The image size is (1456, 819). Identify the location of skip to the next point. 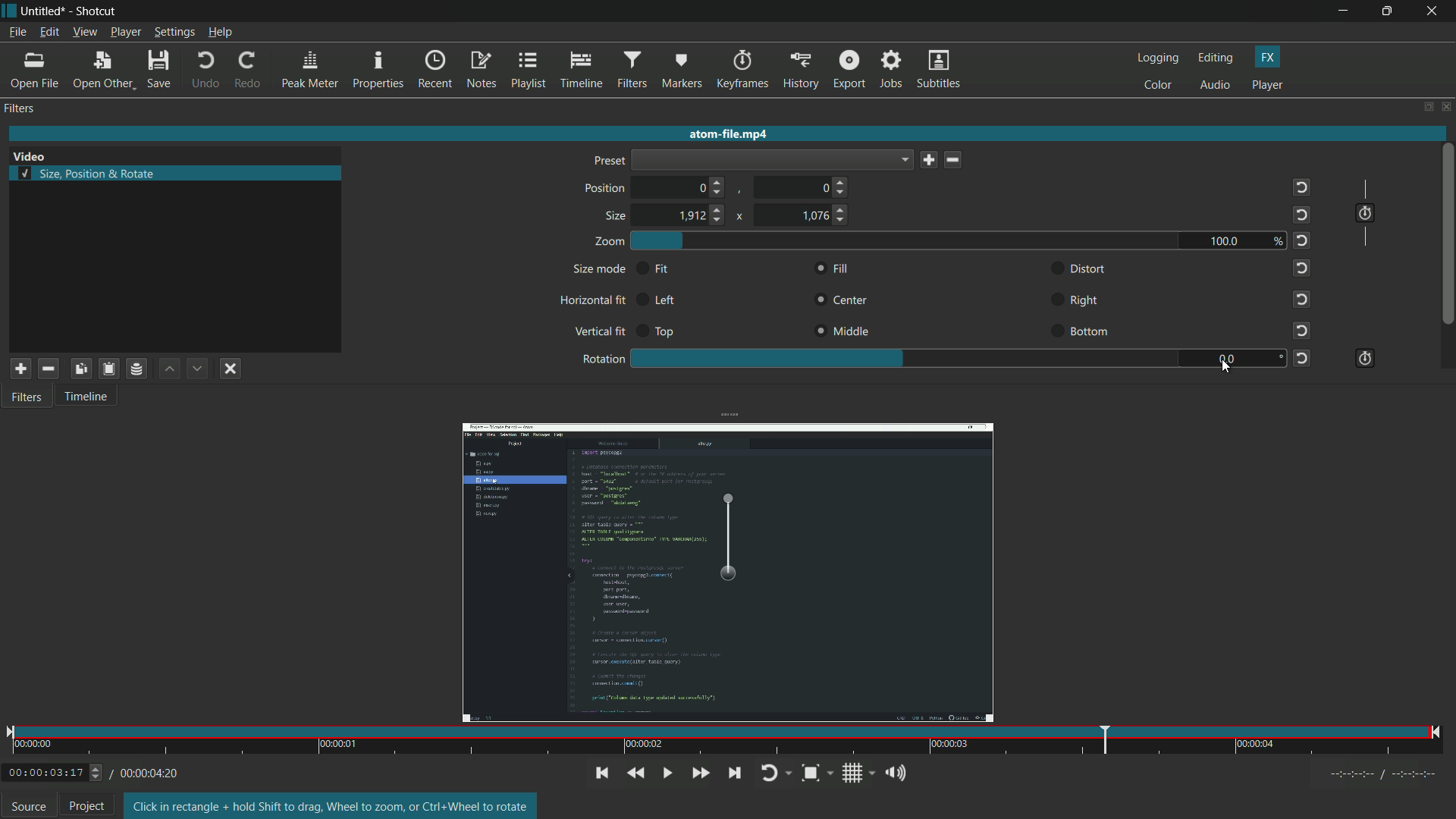
(734, 773).